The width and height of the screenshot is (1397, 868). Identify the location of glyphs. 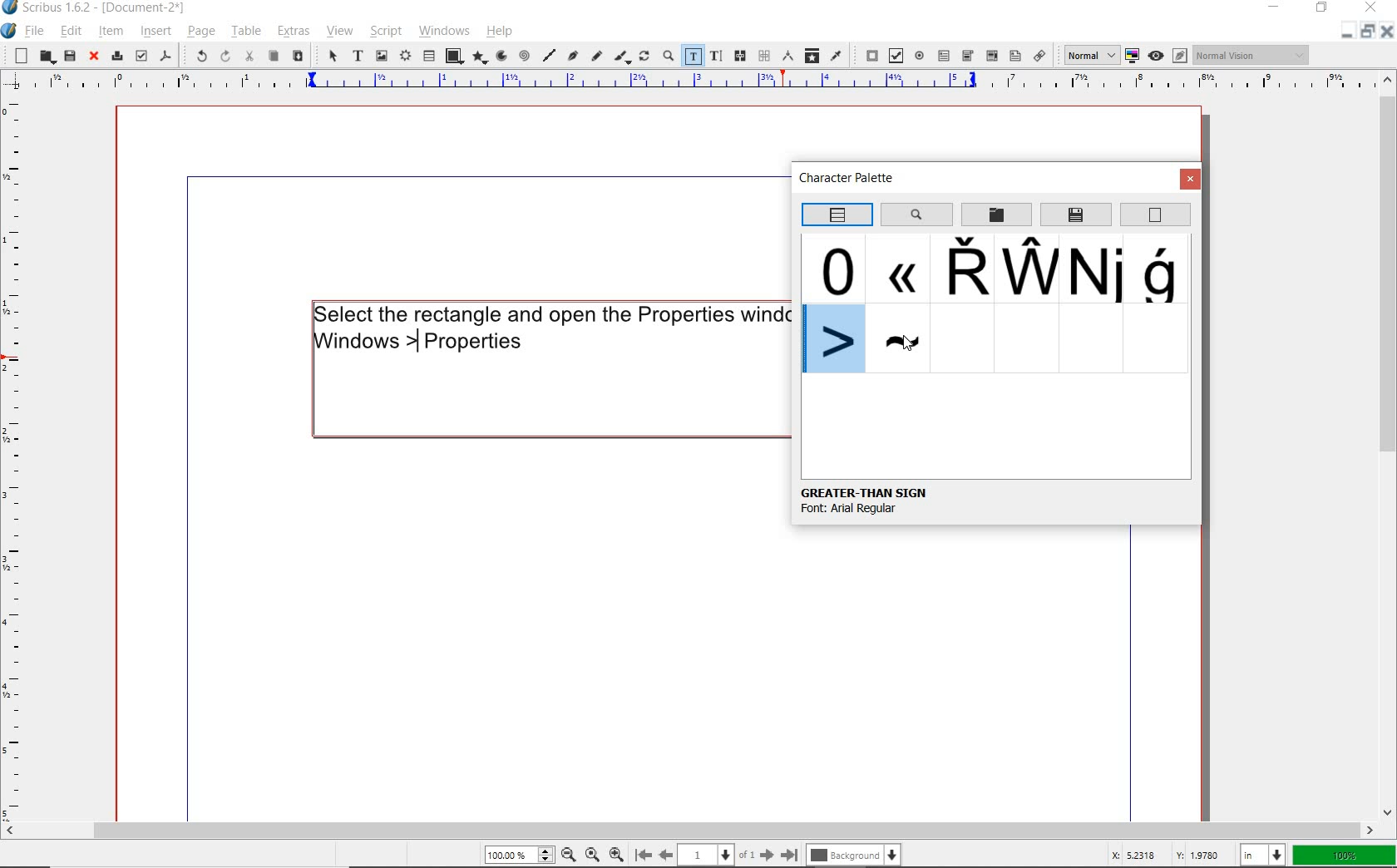
(837, 268).